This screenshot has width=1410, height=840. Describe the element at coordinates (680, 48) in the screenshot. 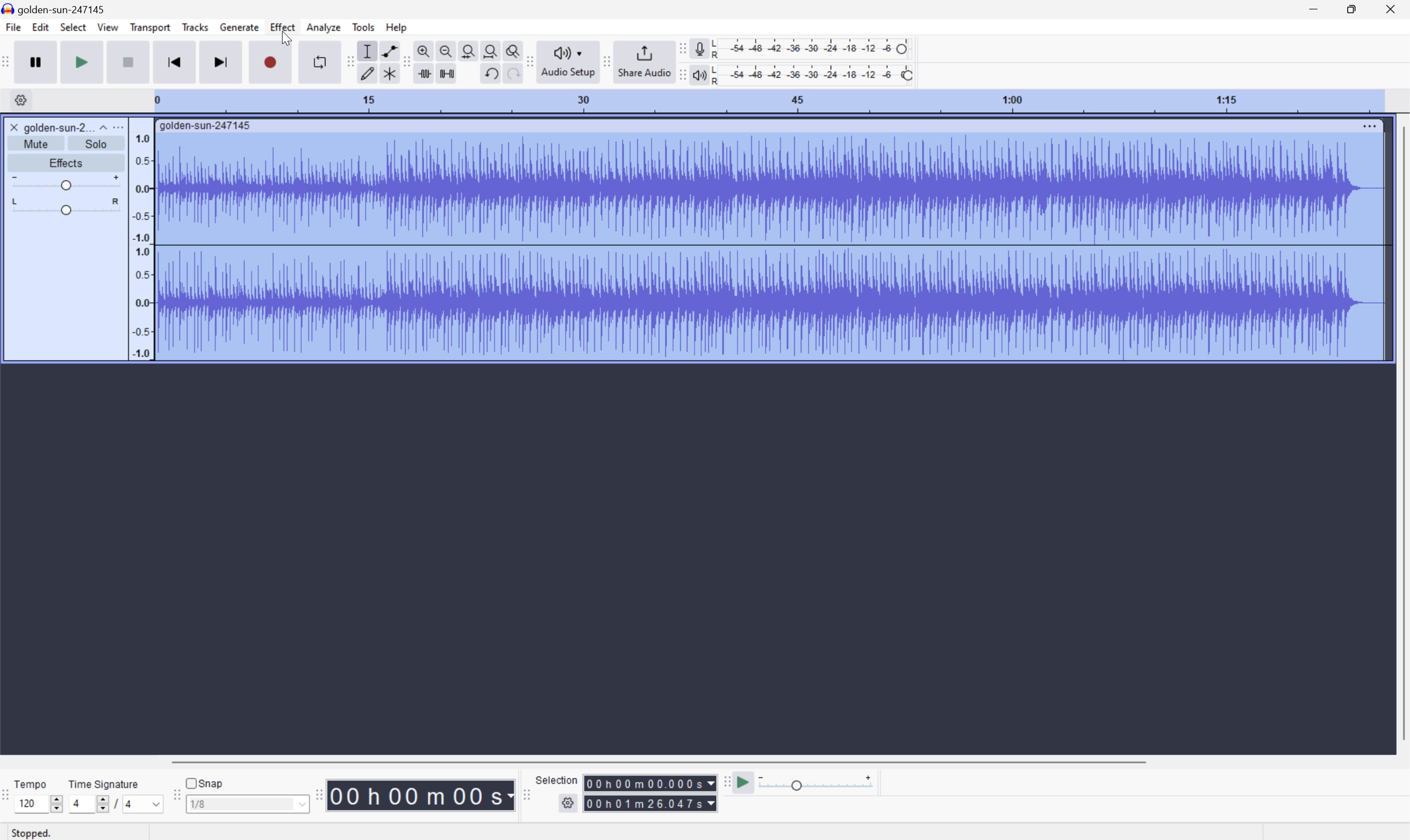

I see `Audacity recording meter toolbar` at that location.